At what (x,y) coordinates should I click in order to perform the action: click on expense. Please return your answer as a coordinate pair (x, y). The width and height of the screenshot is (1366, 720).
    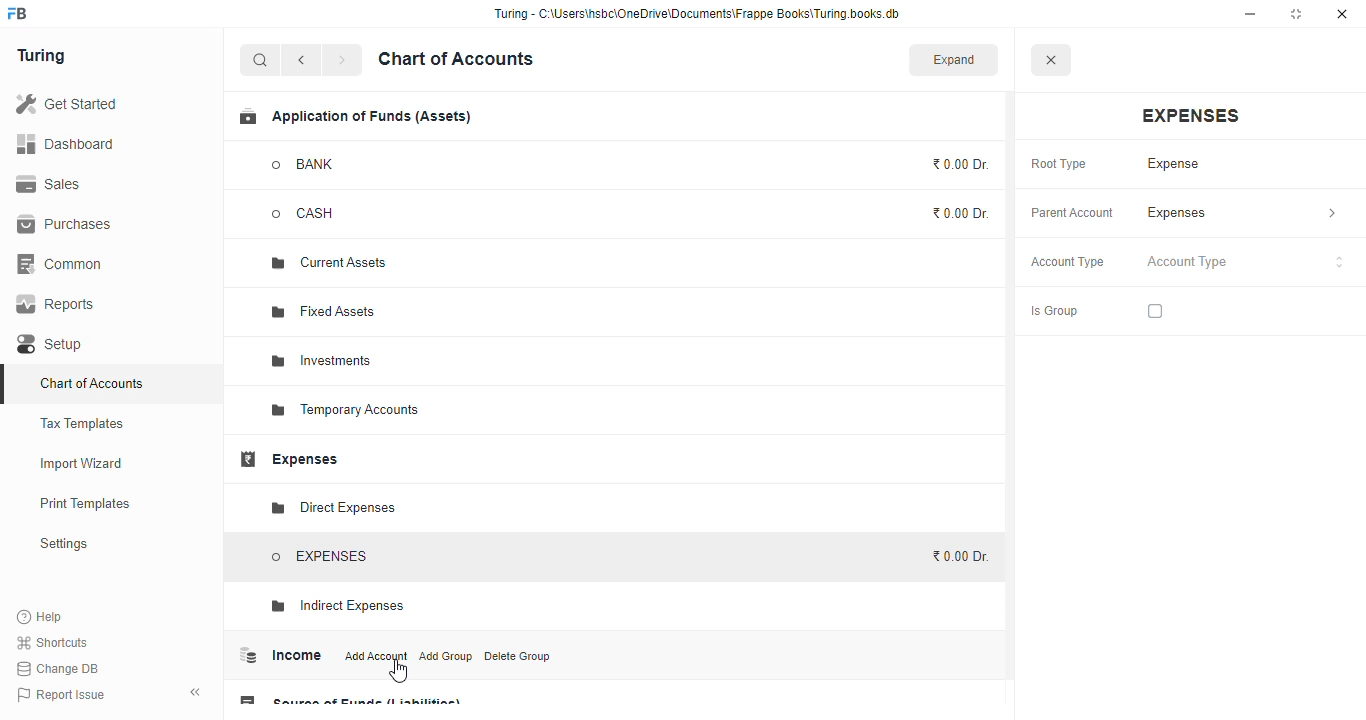
    Looking at the image, I should click on (1174, 164).